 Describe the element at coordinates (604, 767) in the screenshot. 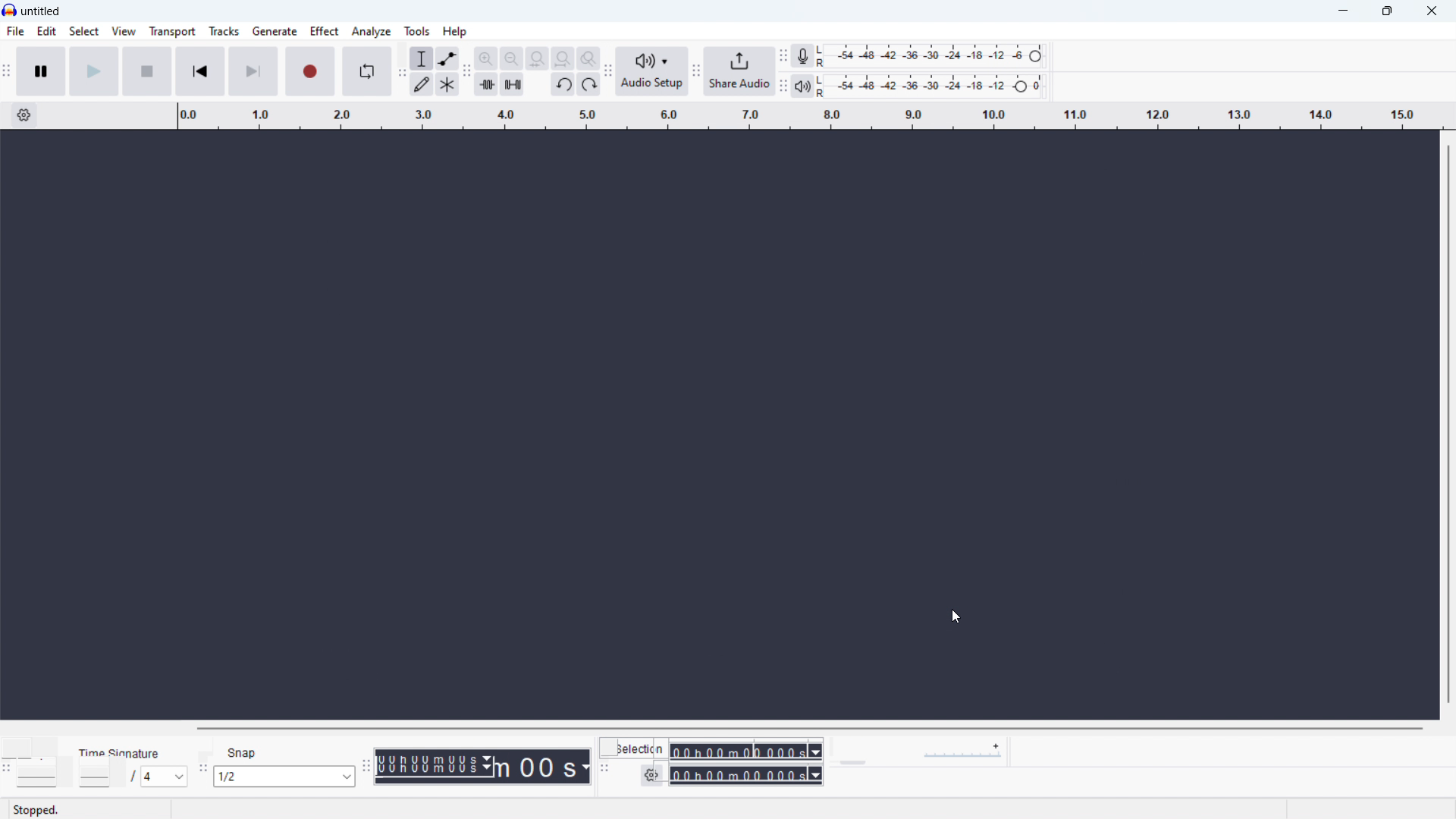

I see `selection toolbar` at that location.